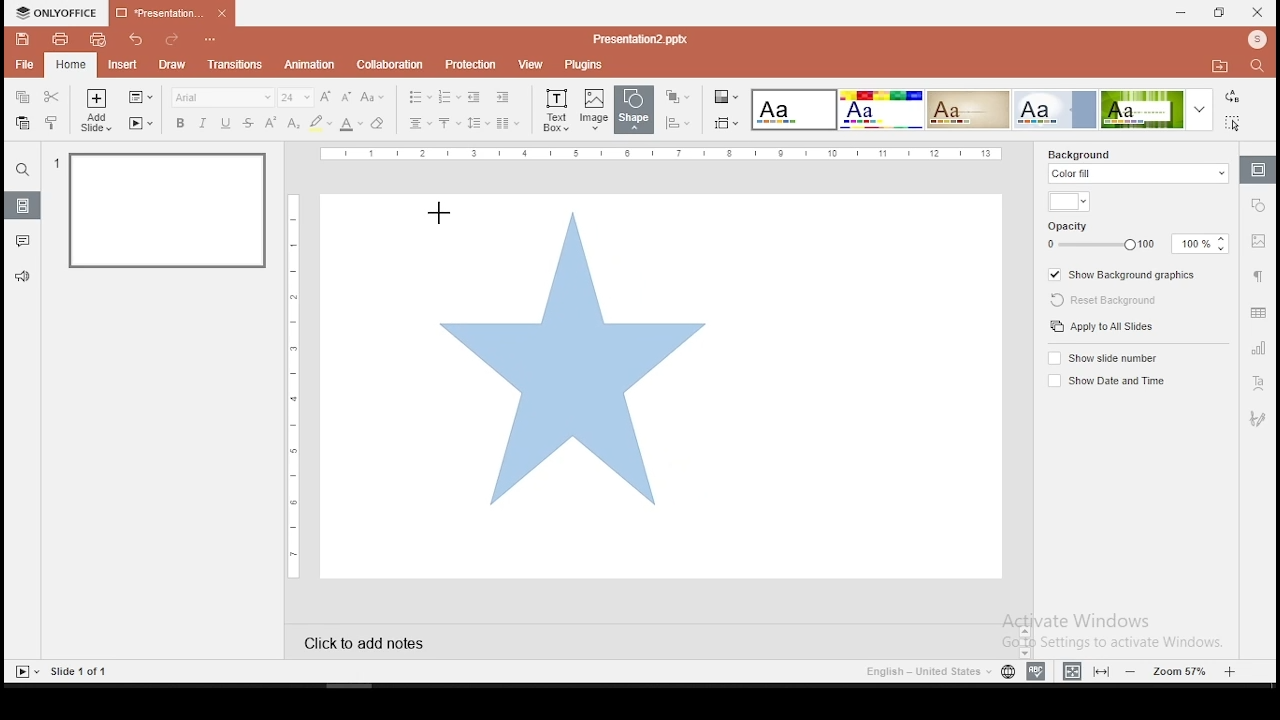  What do you see at coordinates (503, 96) in the screenshot?
I see `increase indent` at bounding box center [503, 96].